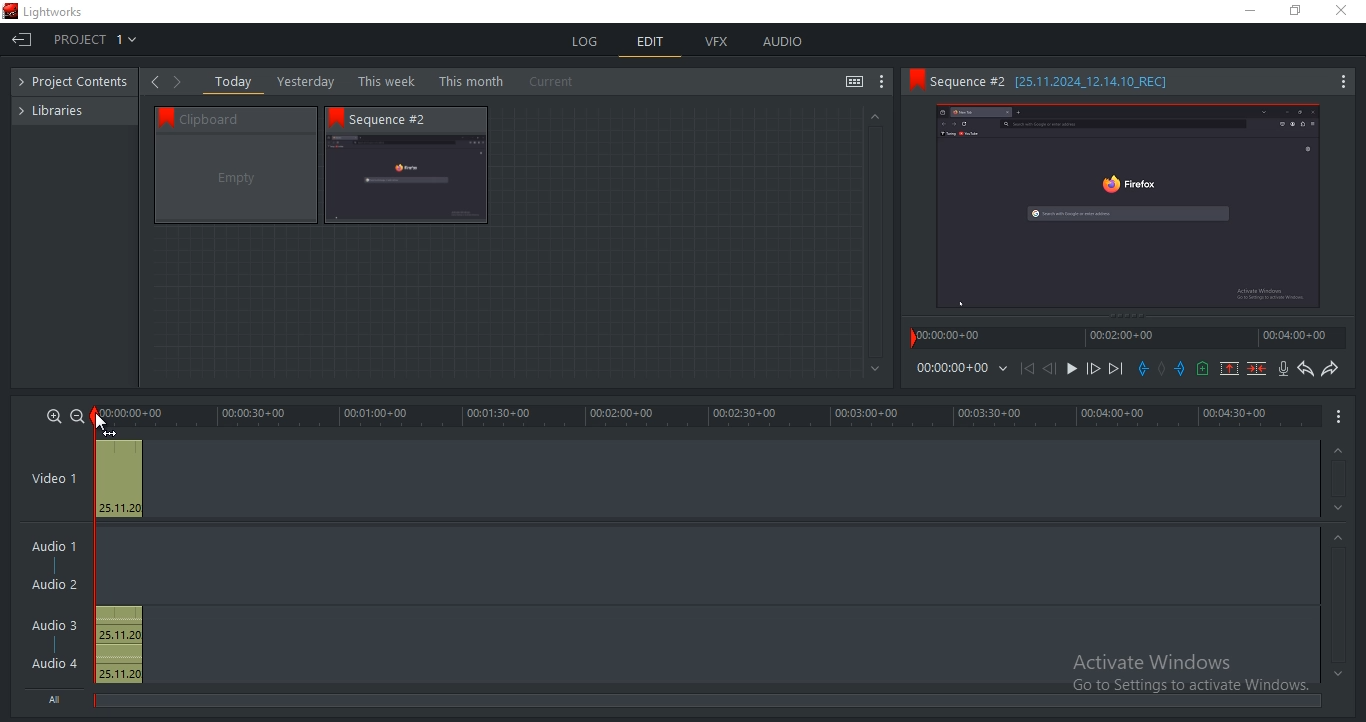 The image size is (1366, 722). I want to click on undo, so click(1306, 369).